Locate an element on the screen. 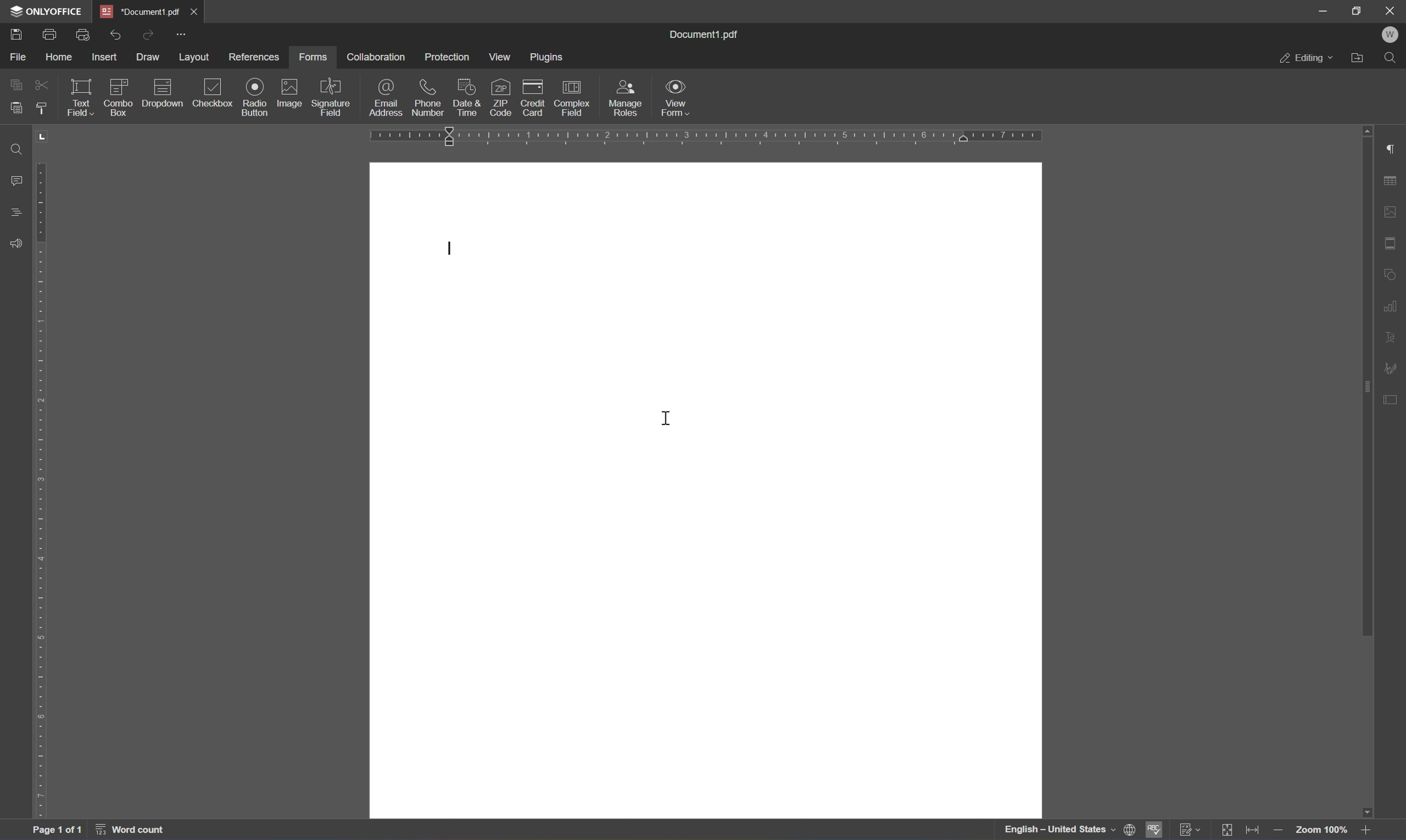 This screenshot has height=840, width=1406. spell checking is located at coordinates (1155, 830).